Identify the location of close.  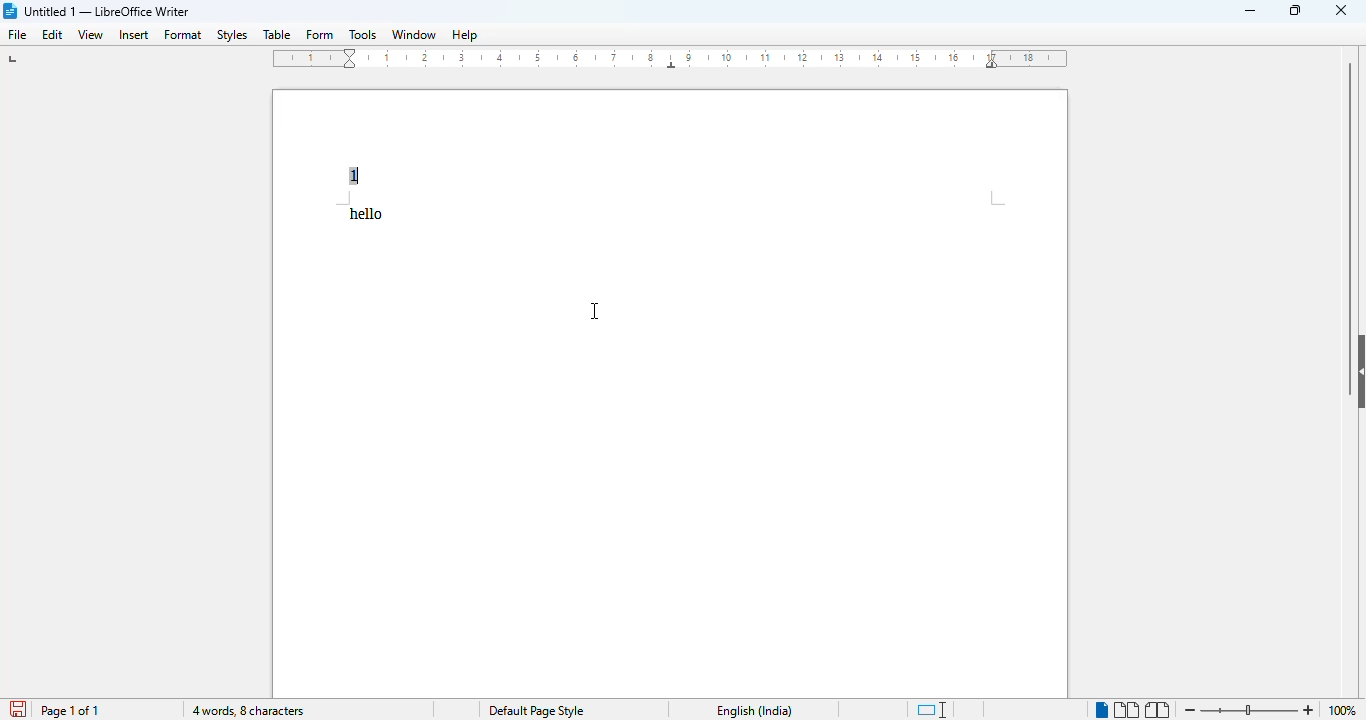
(1340, 11).